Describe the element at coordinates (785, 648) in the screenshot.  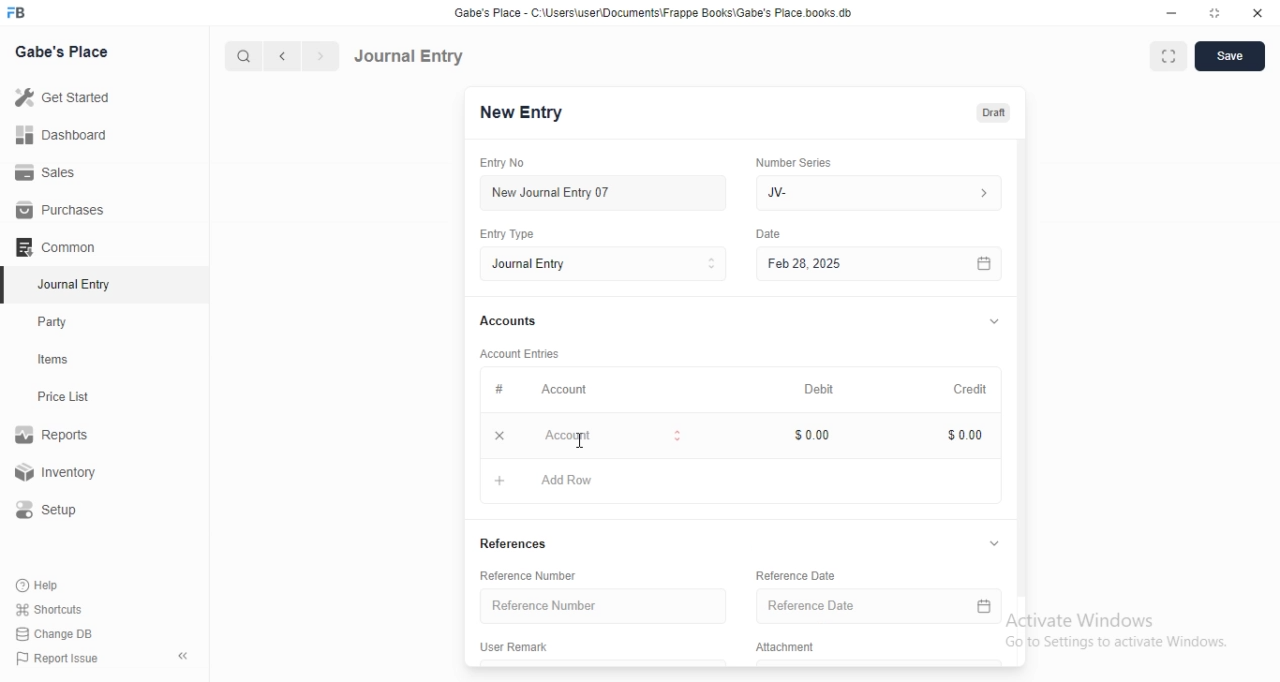
I see `Attachment` at that location.